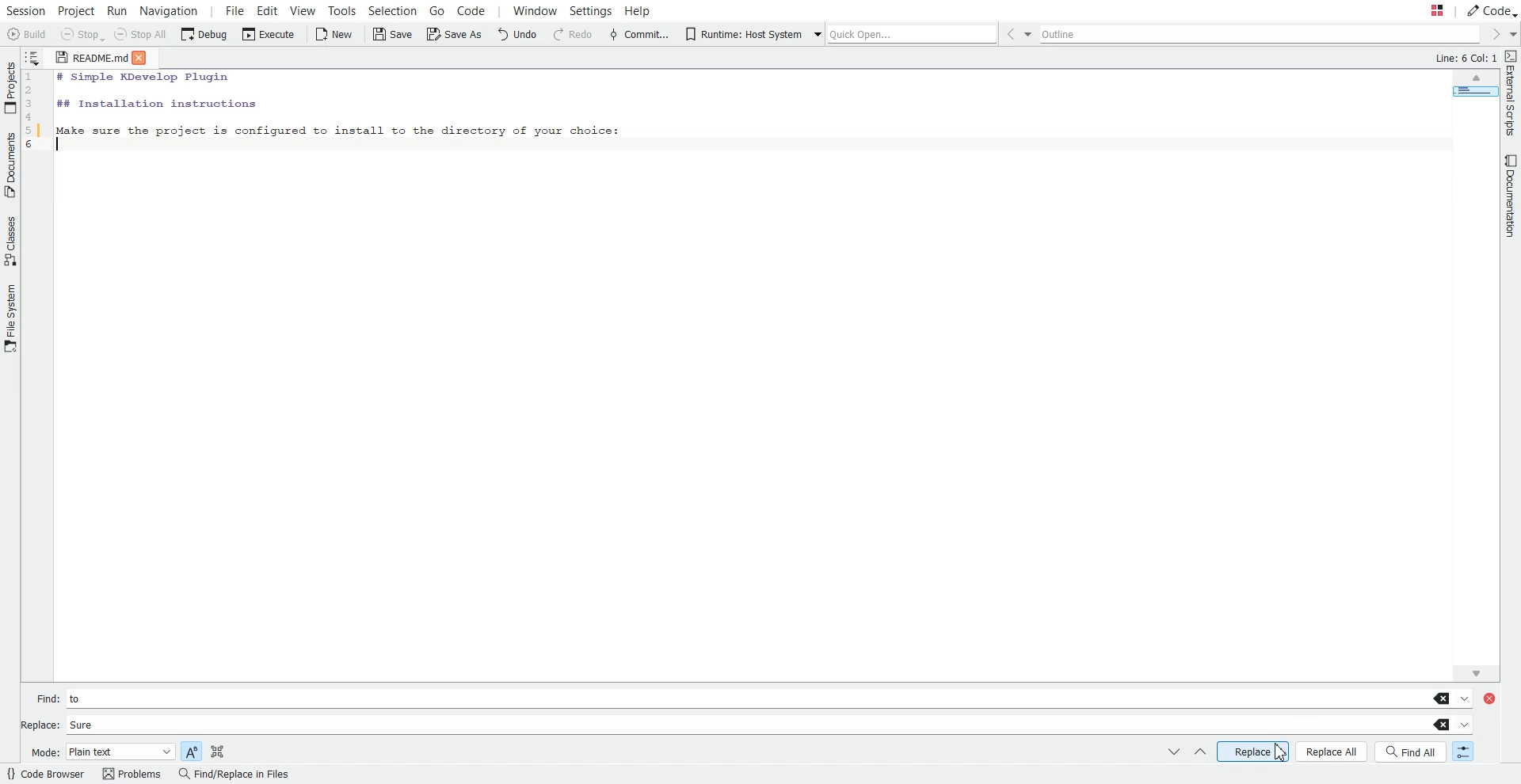 The height and width of the screenshot is (784, 1521). I want to click on Switch to Incremental, so click(1460, 752).